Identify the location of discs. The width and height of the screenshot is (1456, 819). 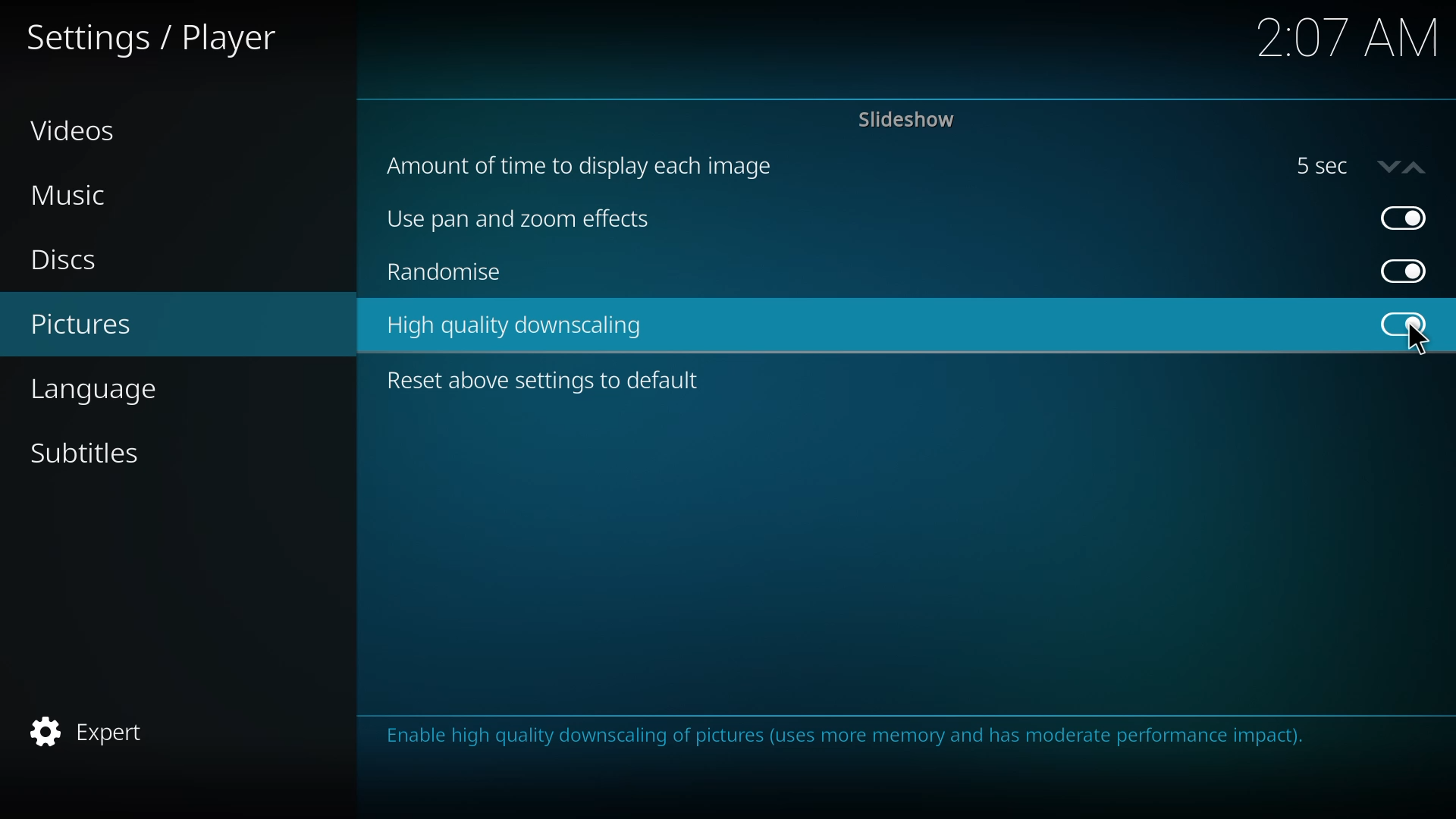
(70, 260).